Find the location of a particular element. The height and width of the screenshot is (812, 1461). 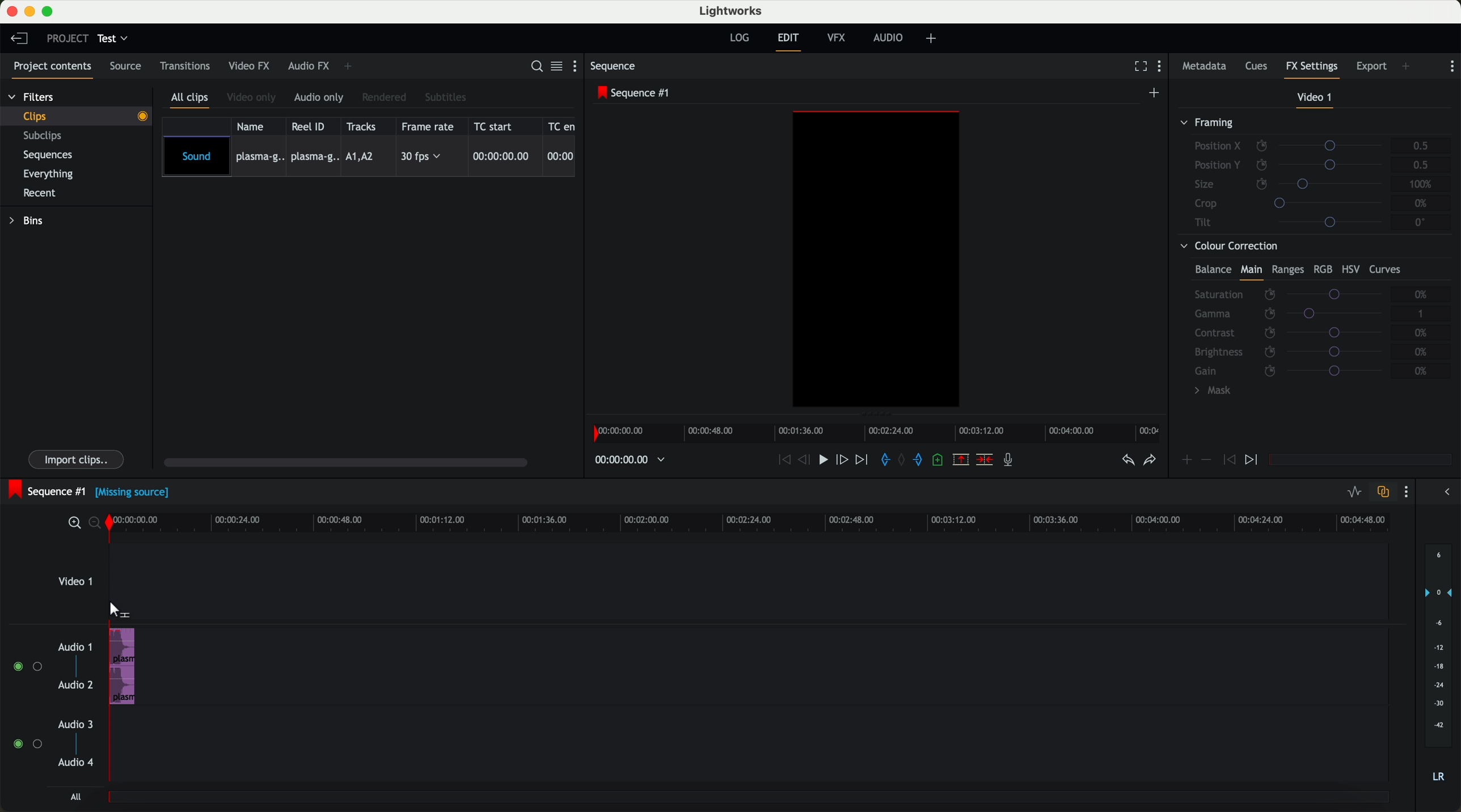

project contents is located at coordinates (49, 68).